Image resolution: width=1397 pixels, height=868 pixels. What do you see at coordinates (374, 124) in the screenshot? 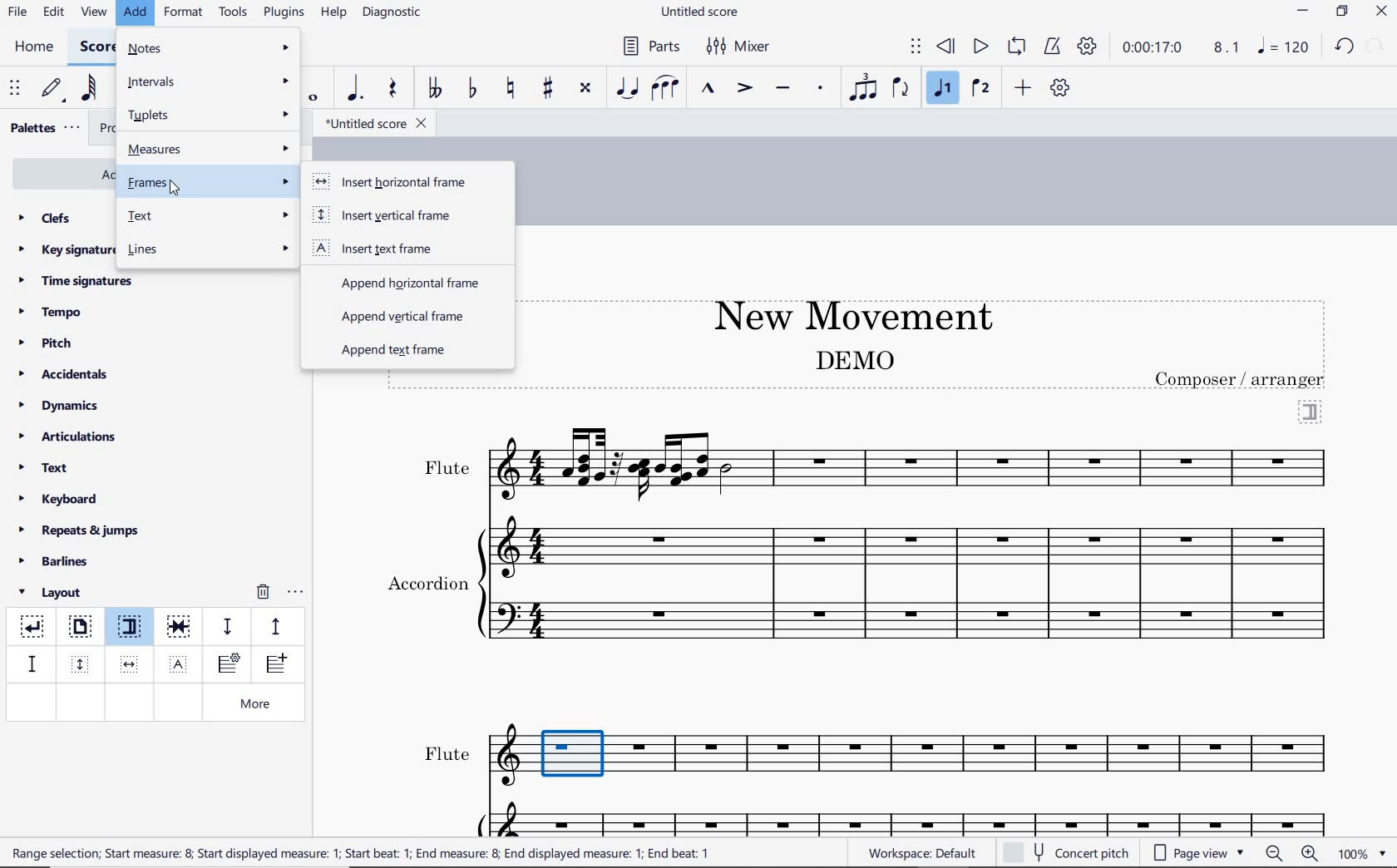
I see `file name` at bounding box center [374, 124].